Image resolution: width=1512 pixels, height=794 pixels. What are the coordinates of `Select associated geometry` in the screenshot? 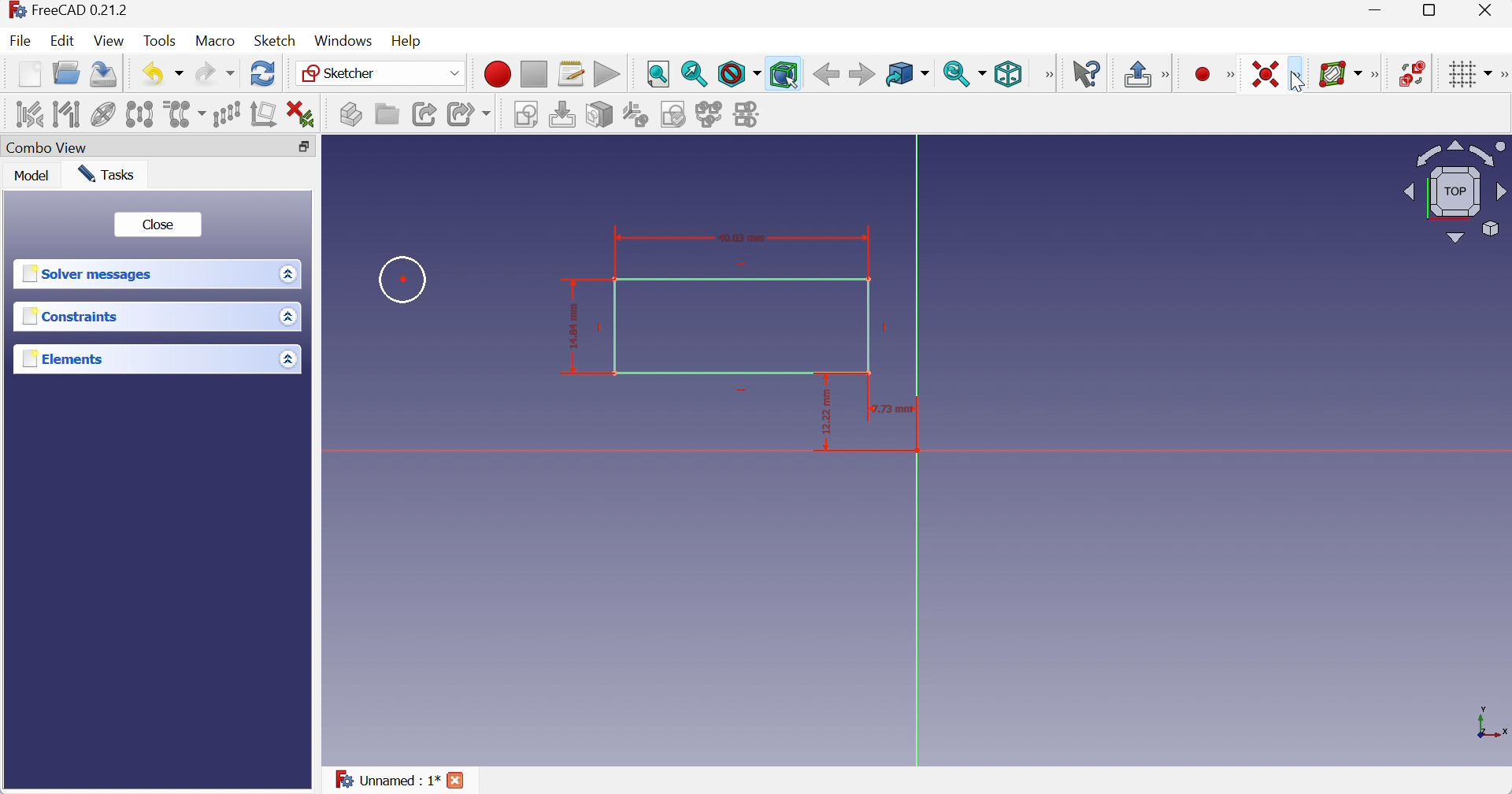 It's located at (69, 114).